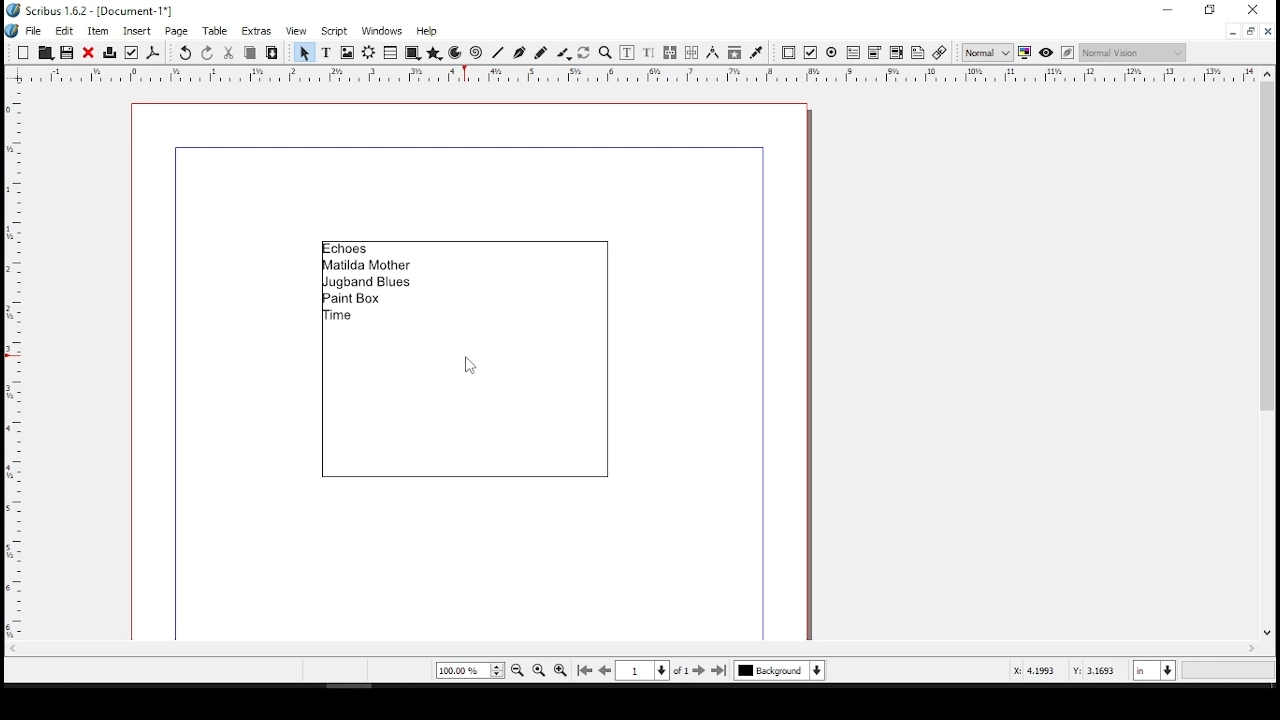 Image resolution: width=1280 pixels, height=720 pixels. Describe the element at coordinates (670, 54) in the screenshot. I see `link text frames` at that location.